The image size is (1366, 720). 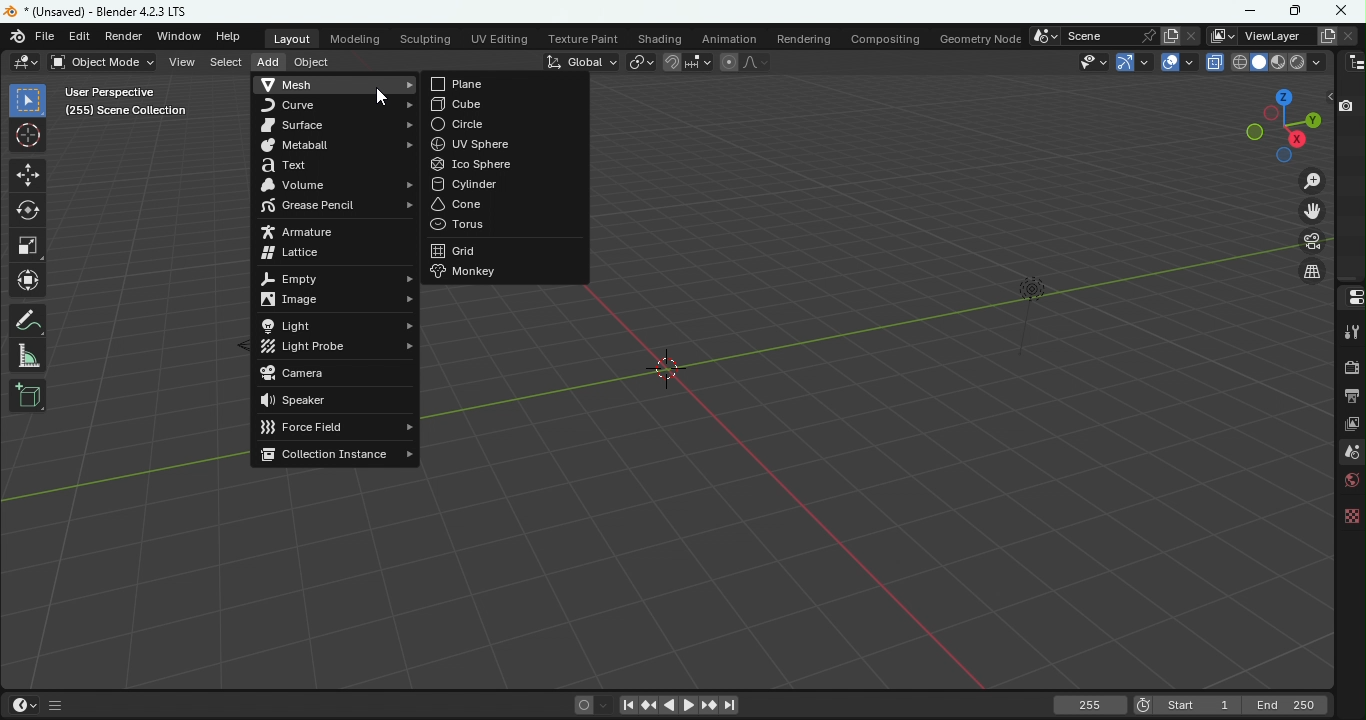 I want to click on Text, so click(x=335, y=164).